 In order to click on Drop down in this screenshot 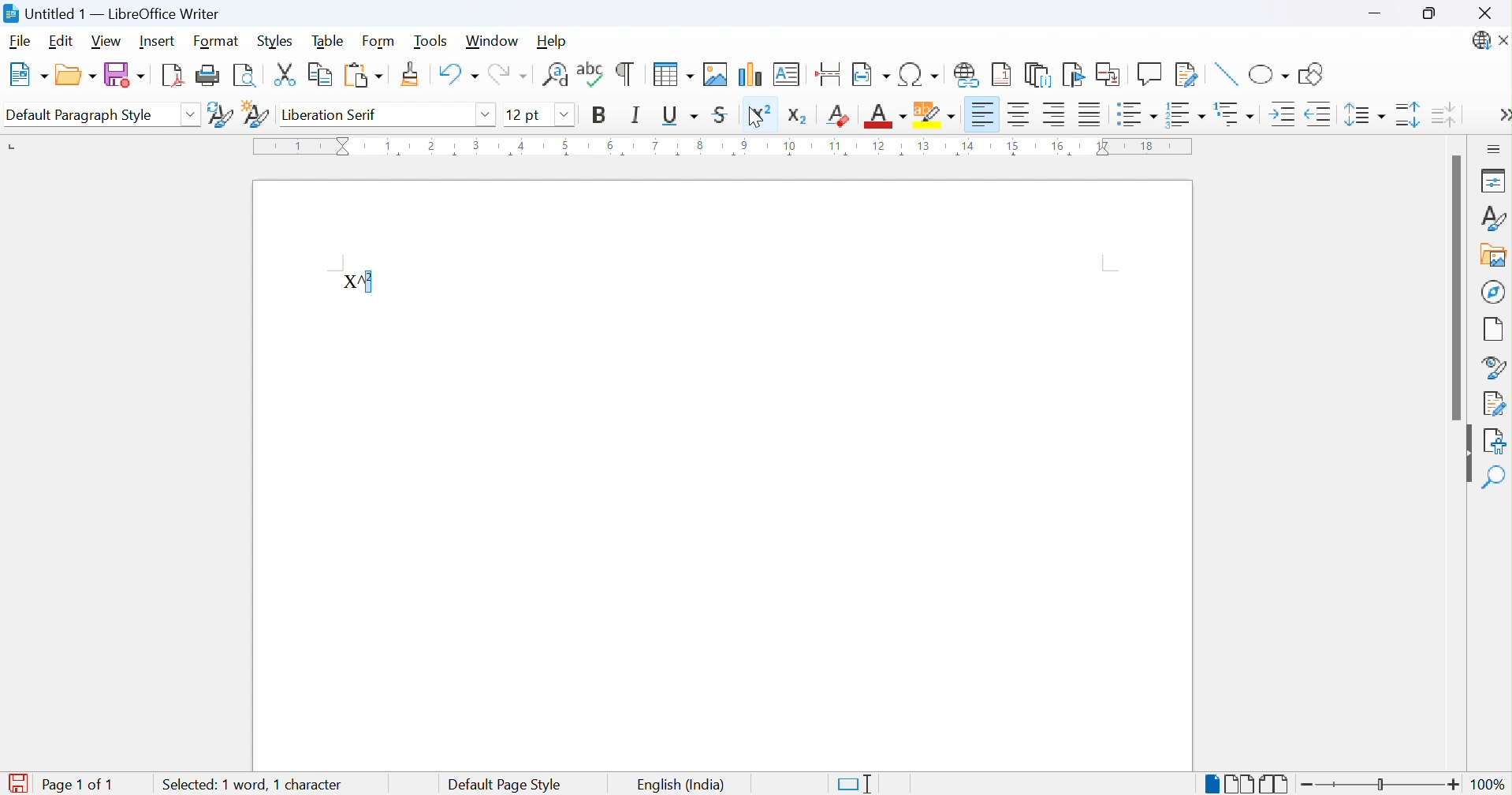, I will do `click(191, 117)`.